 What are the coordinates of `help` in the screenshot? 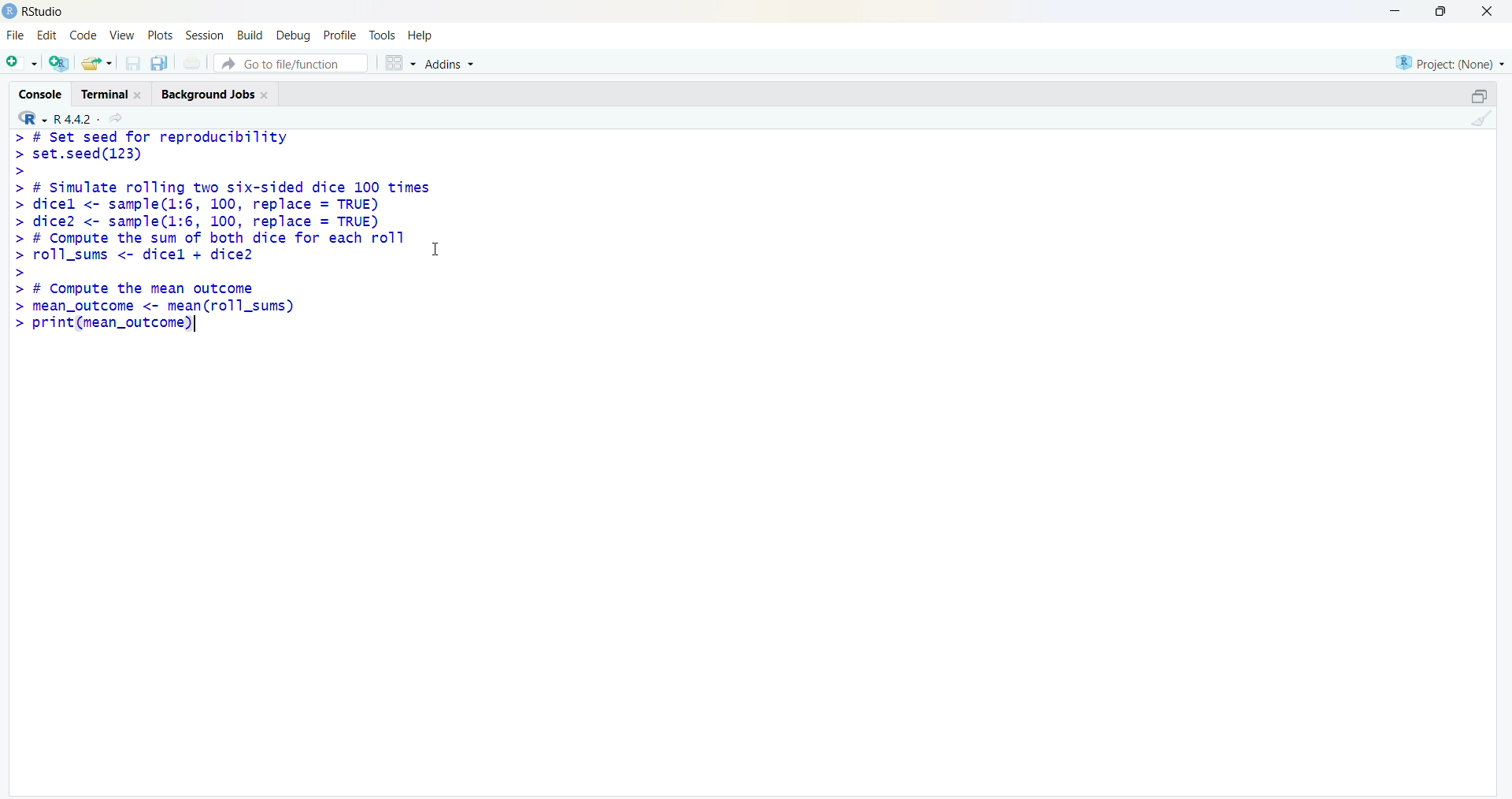 It's located at (422, 36).